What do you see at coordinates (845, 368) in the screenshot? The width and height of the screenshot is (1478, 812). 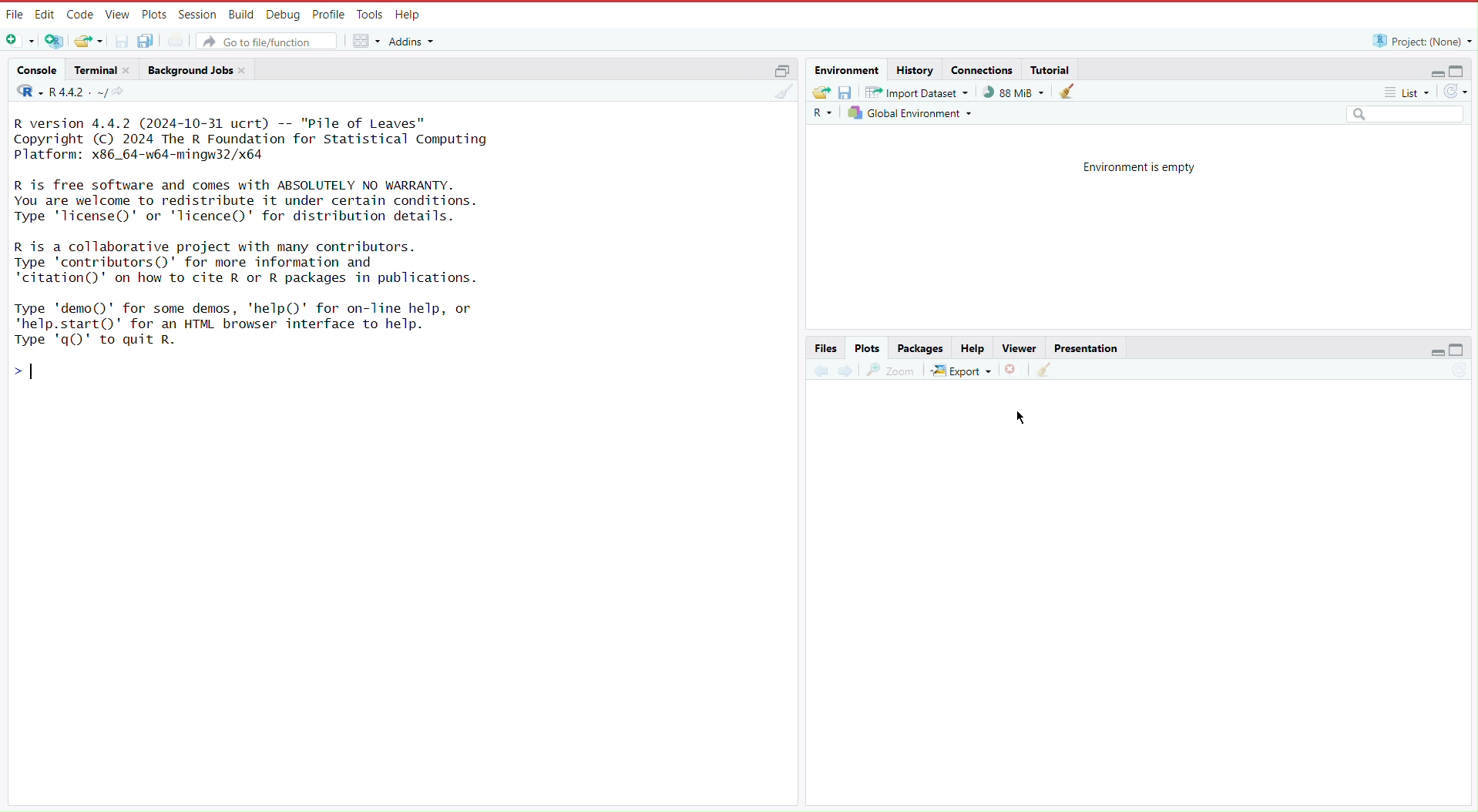 I see `Go forward to the next source location (Ctrl + F10)` at bounding box center [845, 368].